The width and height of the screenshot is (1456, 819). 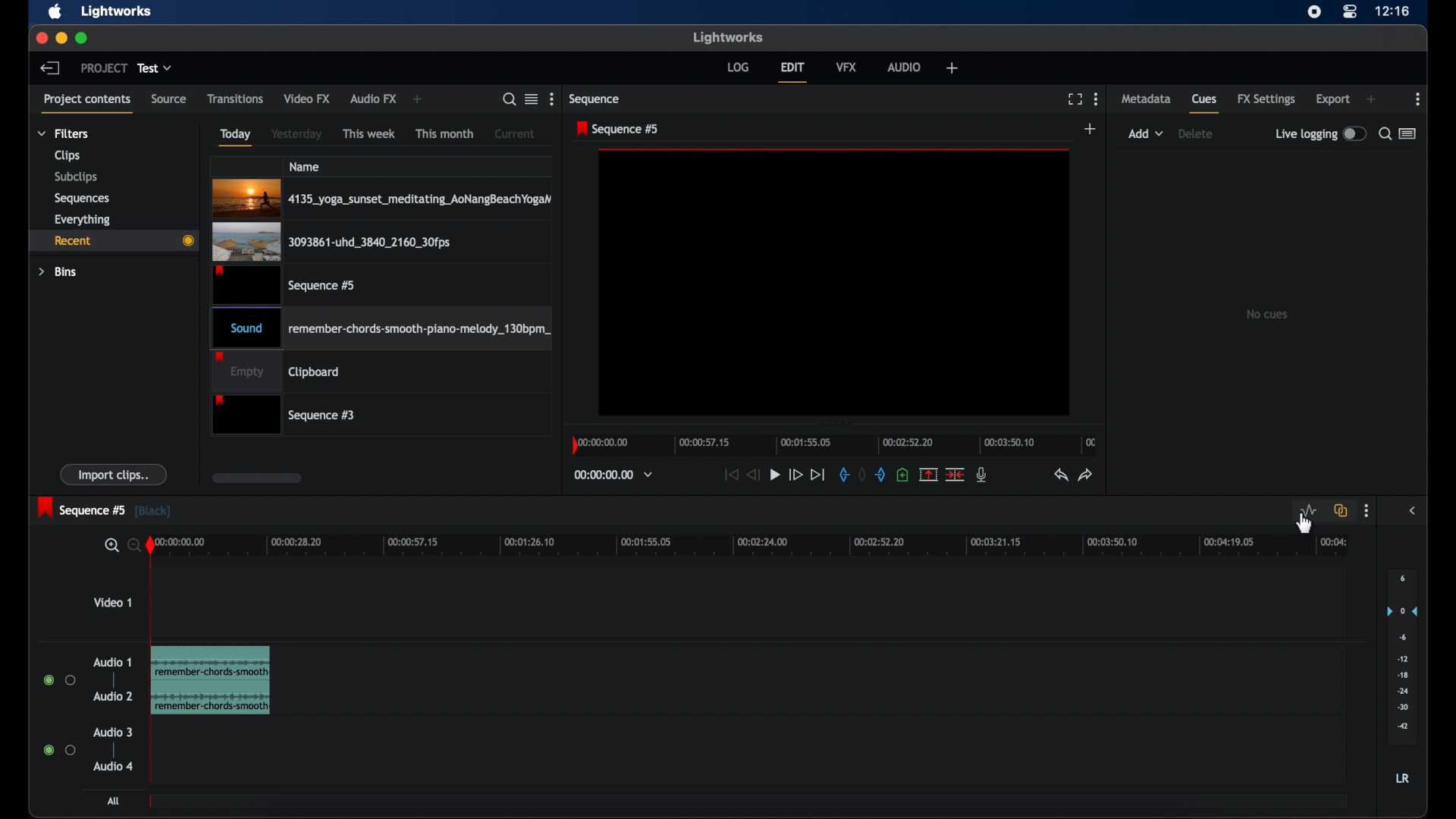 What do you see at coordinates (619, 128) in the screenshot?
I see `sequence #5` at bounding box center [619, 128].